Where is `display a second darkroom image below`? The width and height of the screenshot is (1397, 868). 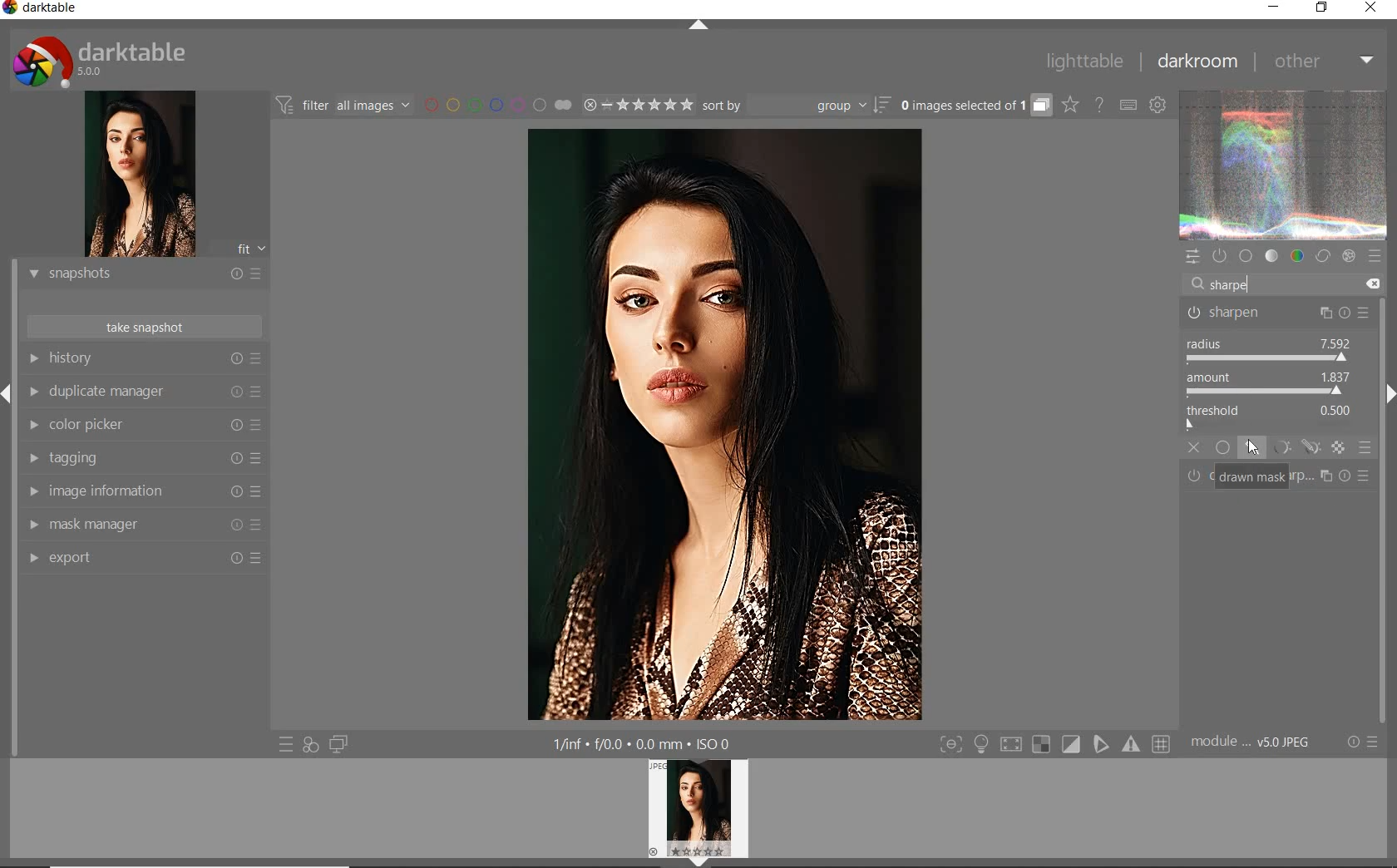 display a second darkroom image below is located at coordinates (340, 743).